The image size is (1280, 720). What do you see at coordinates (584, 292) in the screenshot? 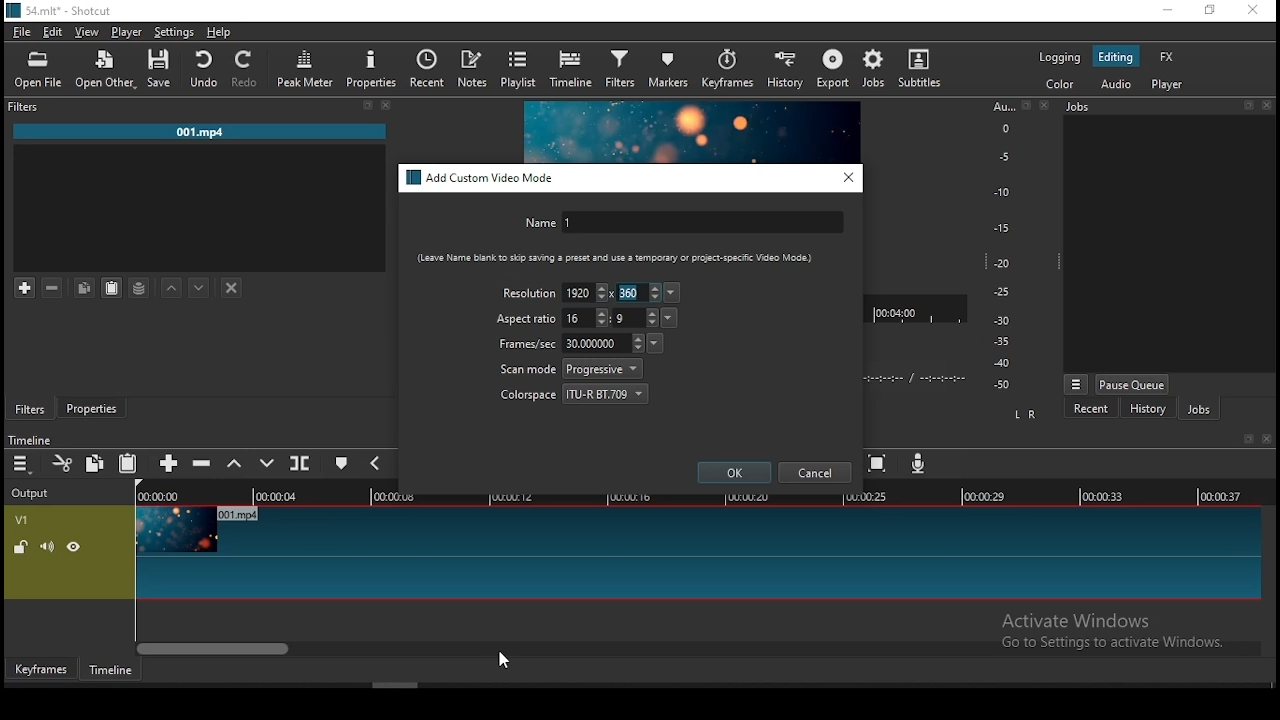
I see `width` at bounding box center [584, 292].